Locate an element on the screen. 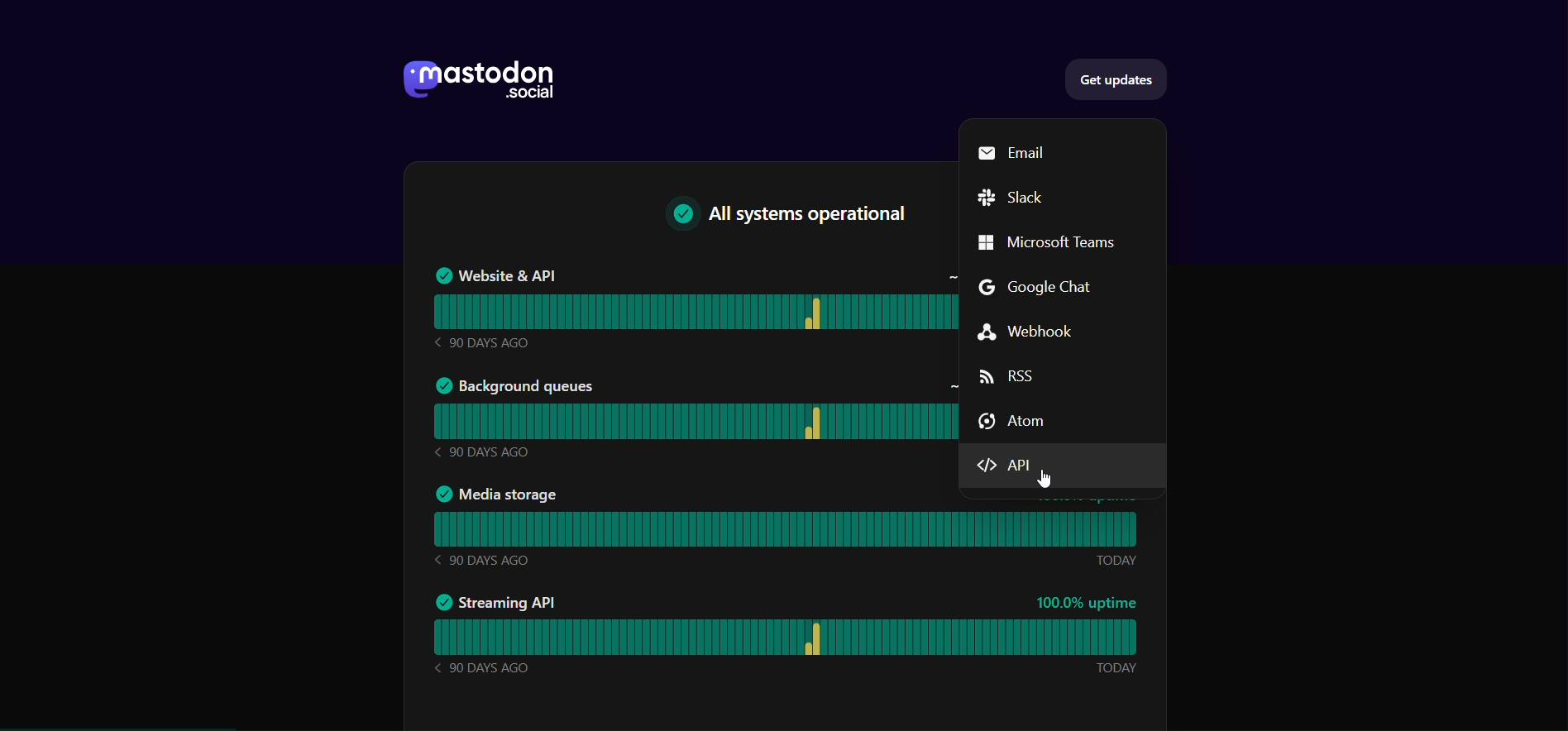  Email is located at coordinates (1015, 154).